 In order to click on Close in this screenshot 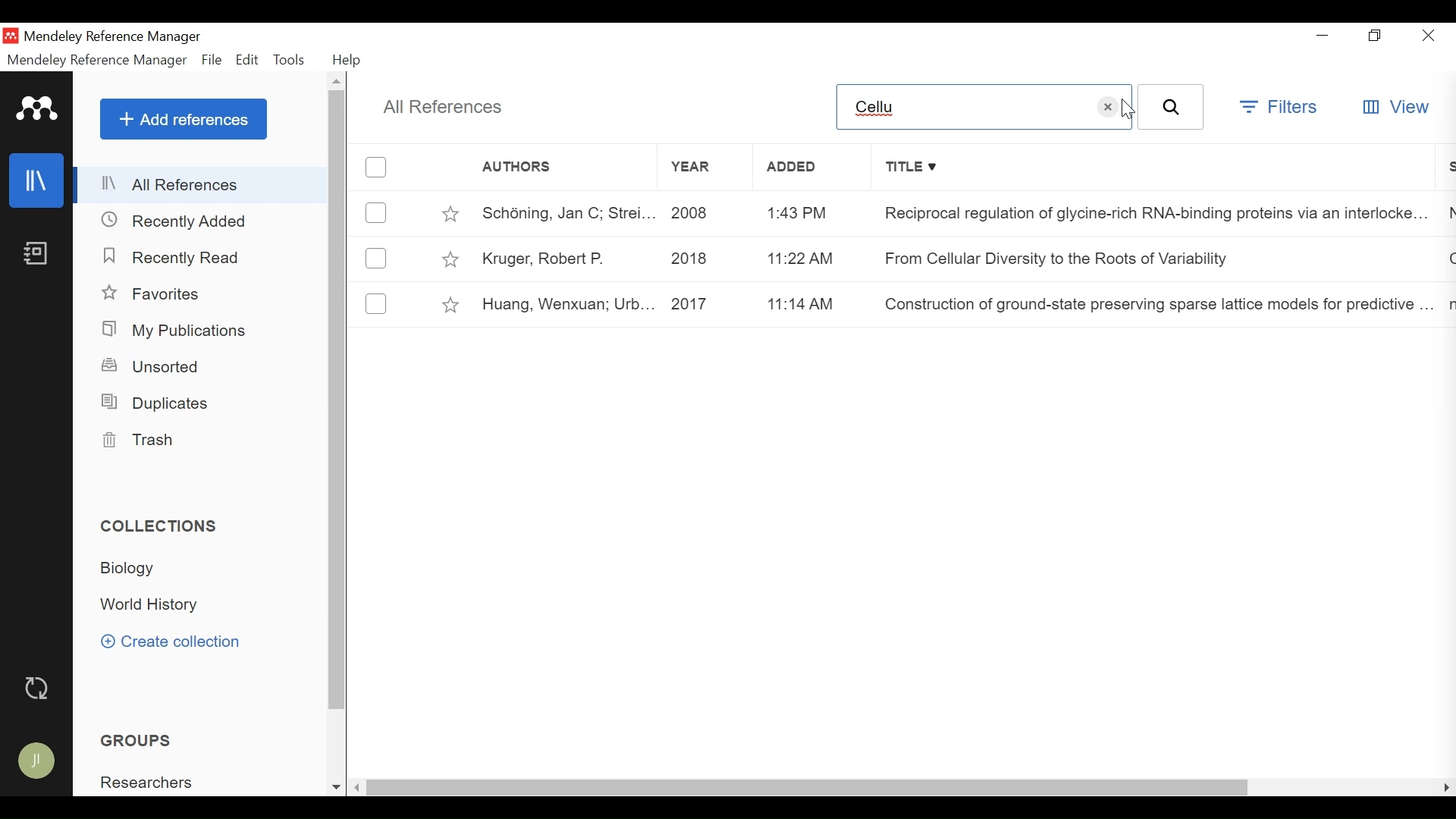, I will do `click(1429, 35)`.